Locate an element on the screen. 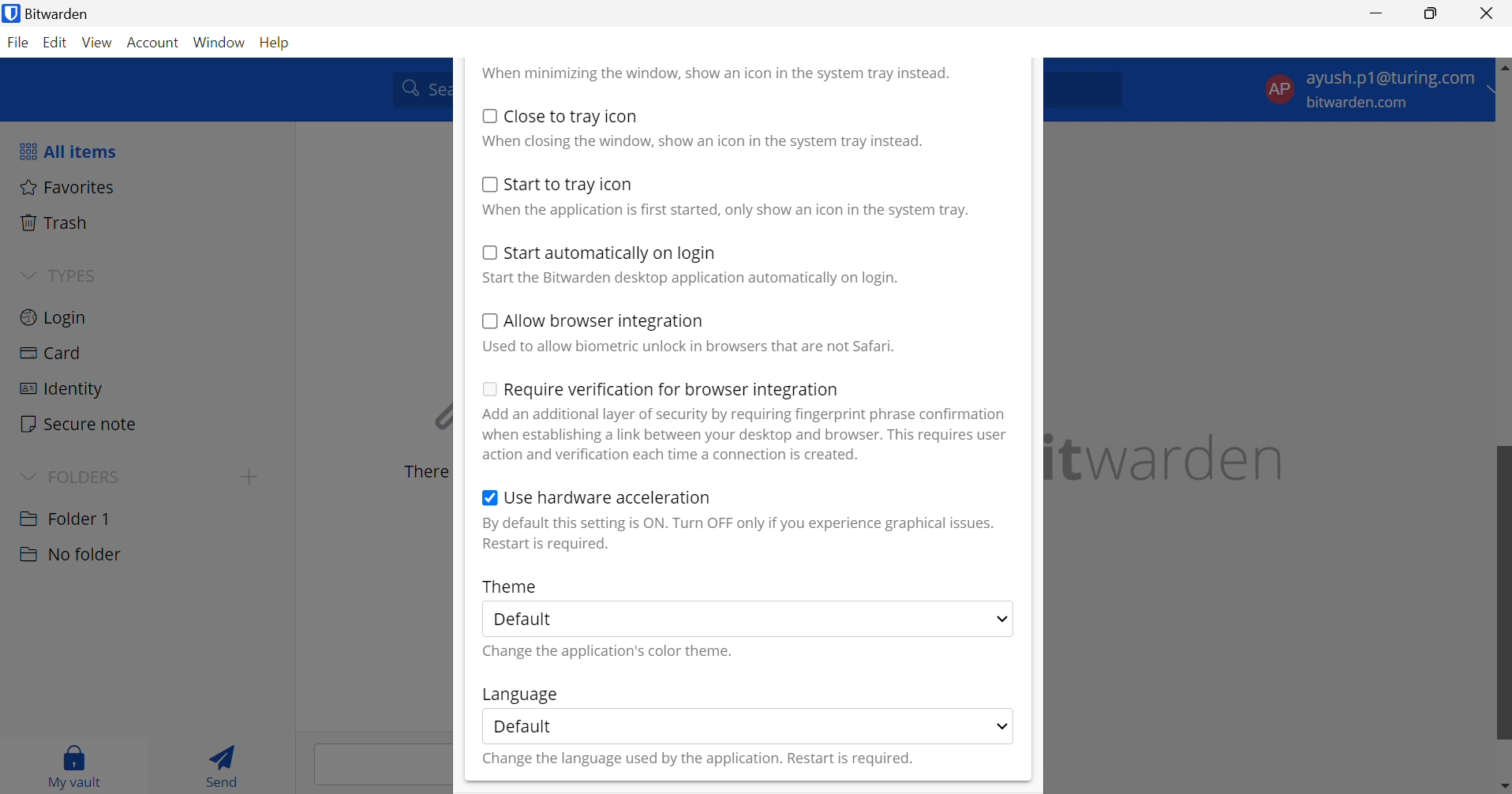  When the application is first started, only show an icon in the system tray. is located at coordinates (724, 211).